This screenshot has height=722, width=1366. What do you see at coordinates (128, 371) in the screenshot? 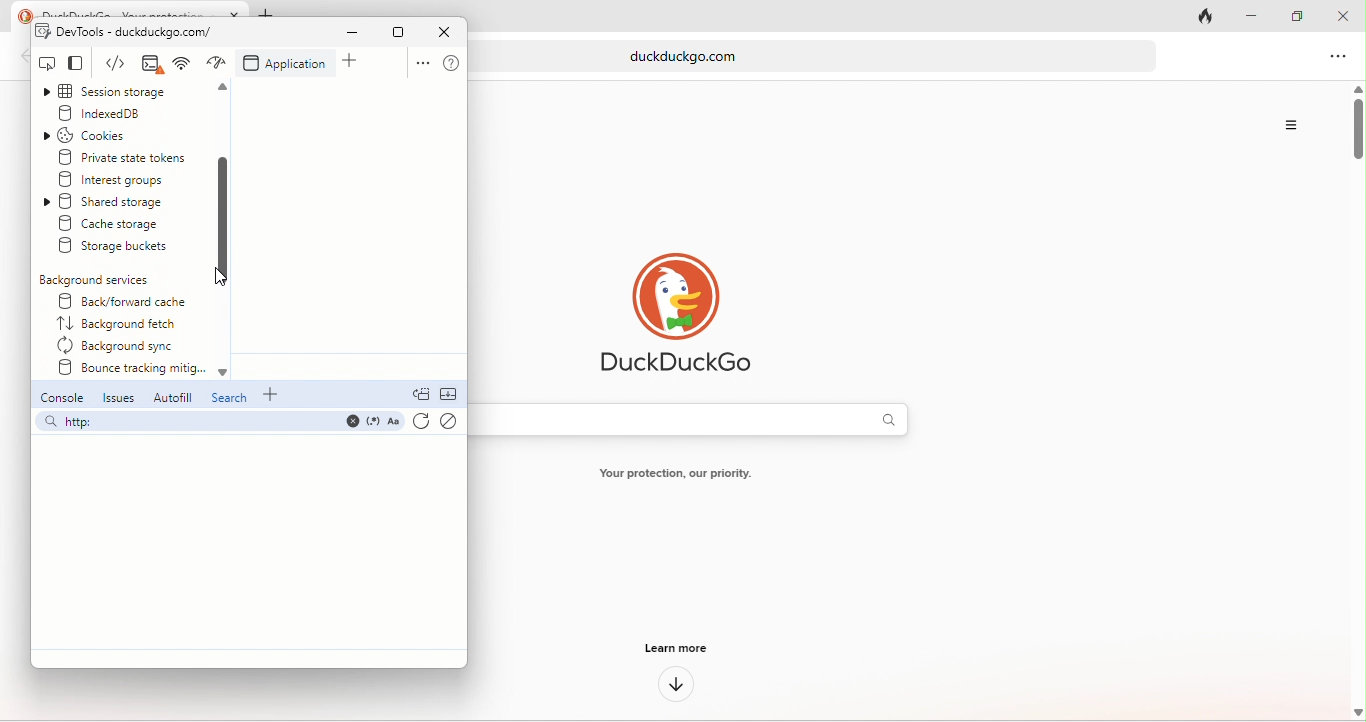
I see `bounce tracking mitig` at bounding box center [128, 371].